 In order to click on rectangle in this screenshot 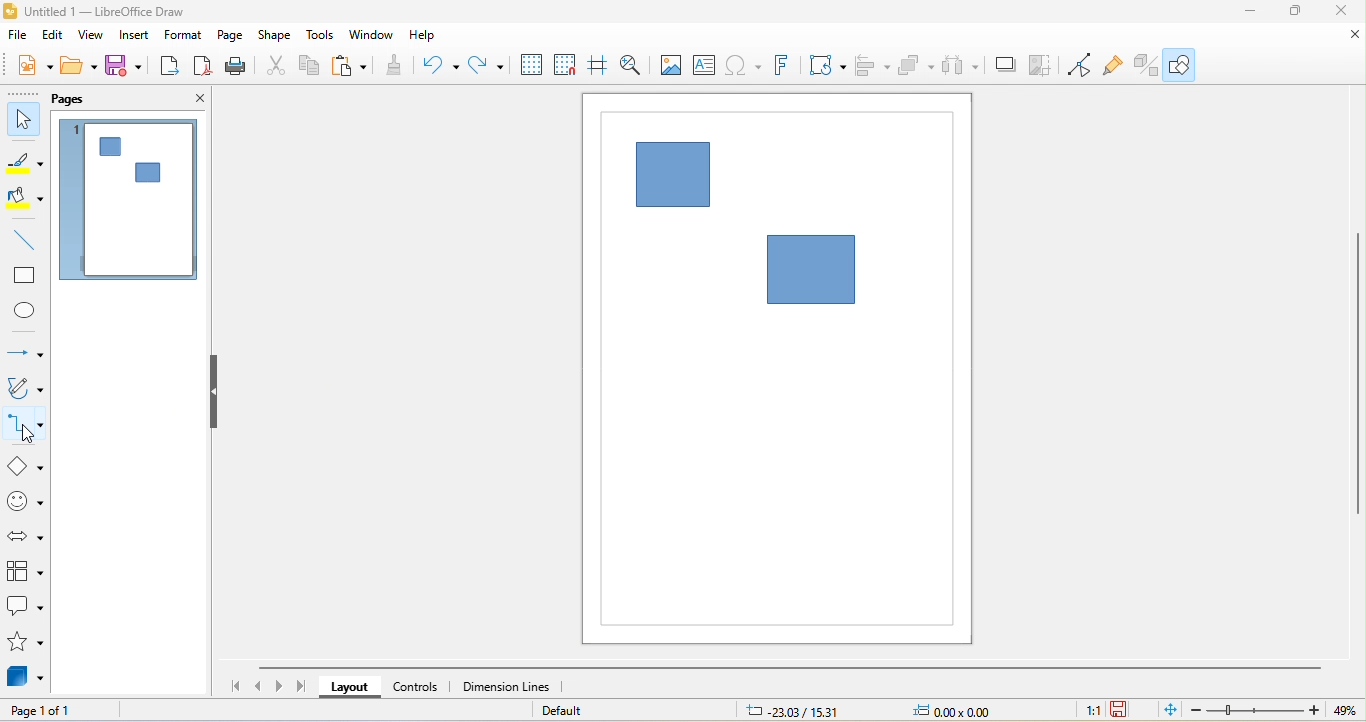, I will do `click(23, 273)`.